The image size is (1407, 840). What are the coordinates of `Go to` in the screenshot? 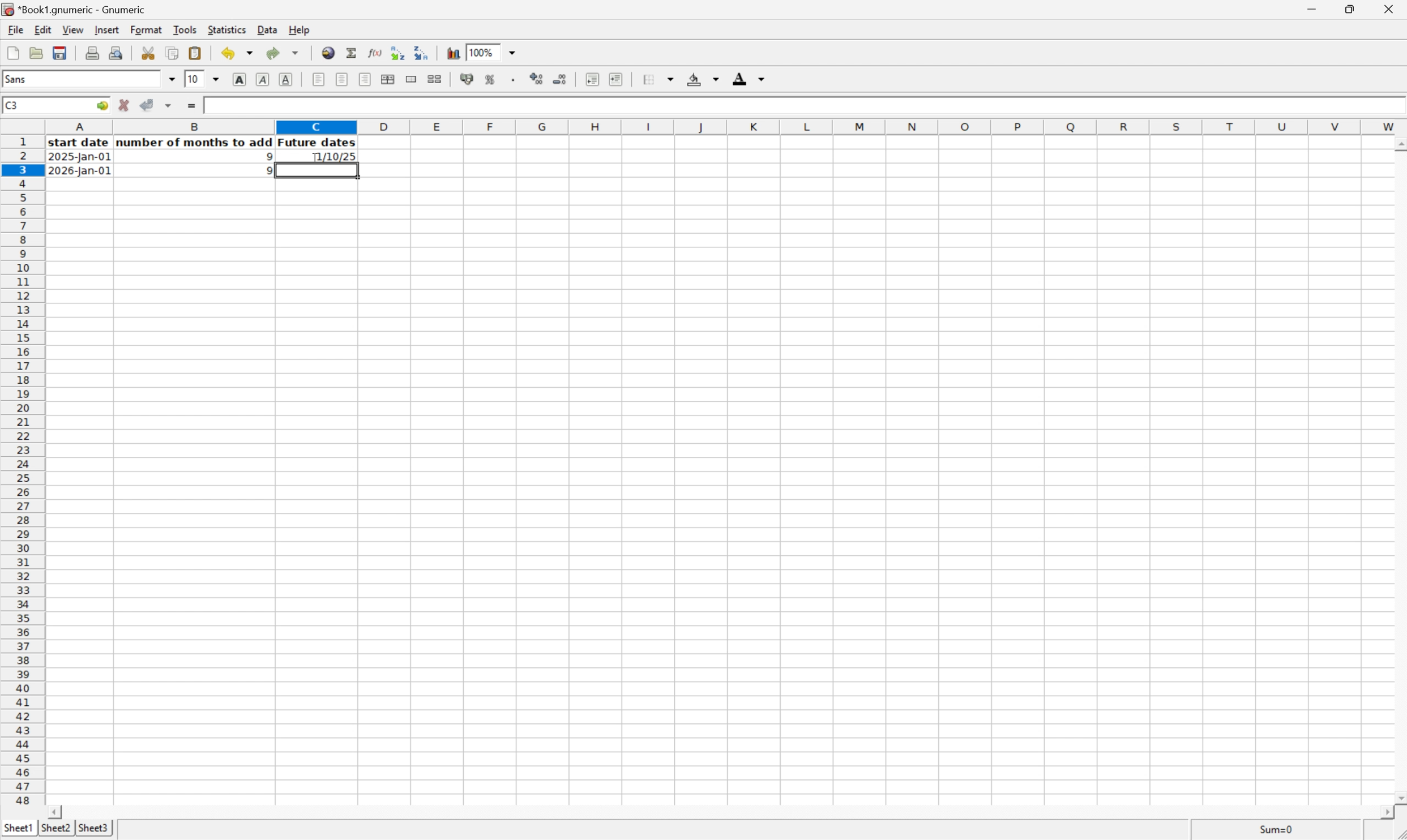 It's located at (101, 105).